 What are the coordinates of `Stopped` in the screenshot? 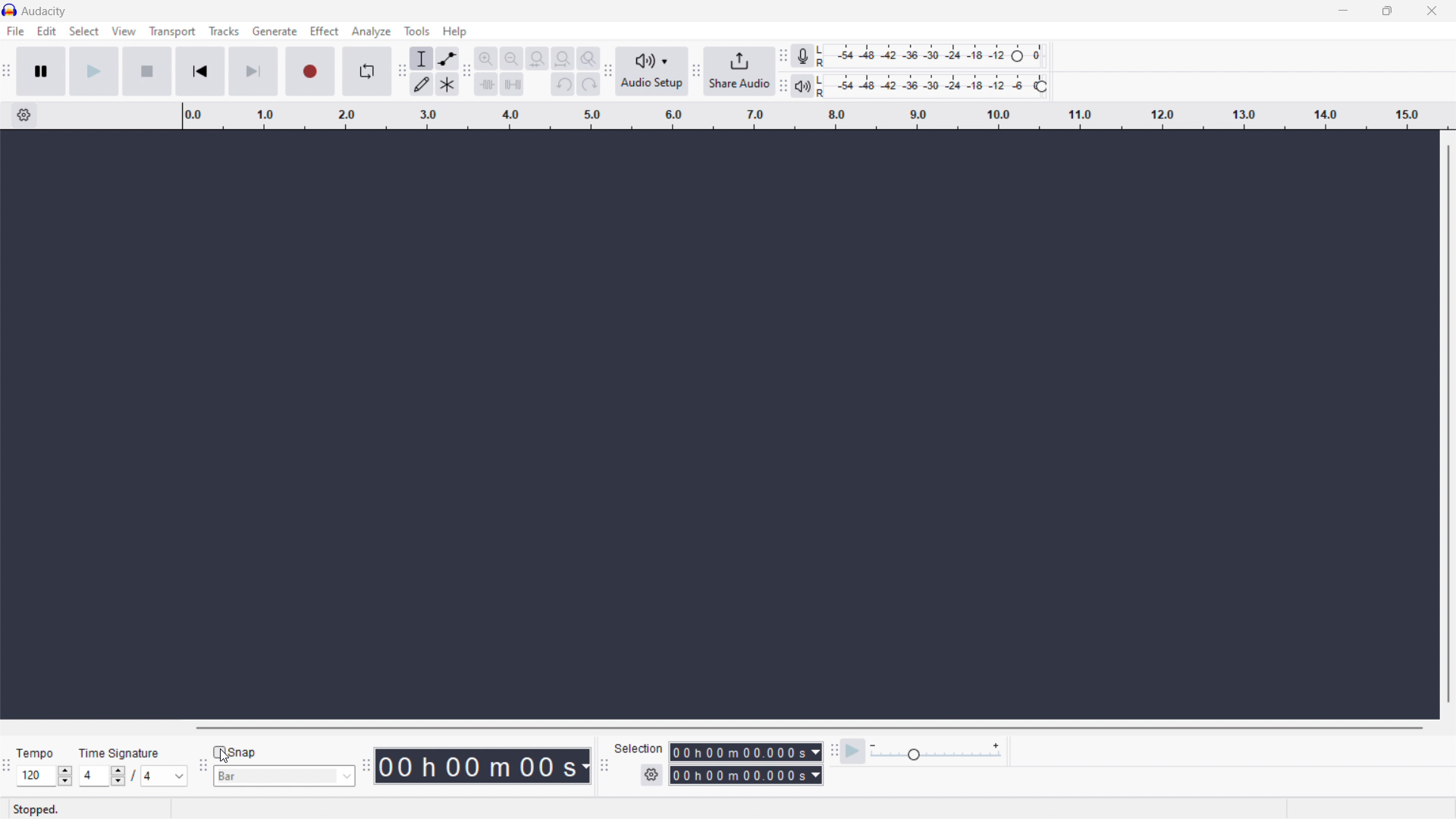 It's located at (36, 809).